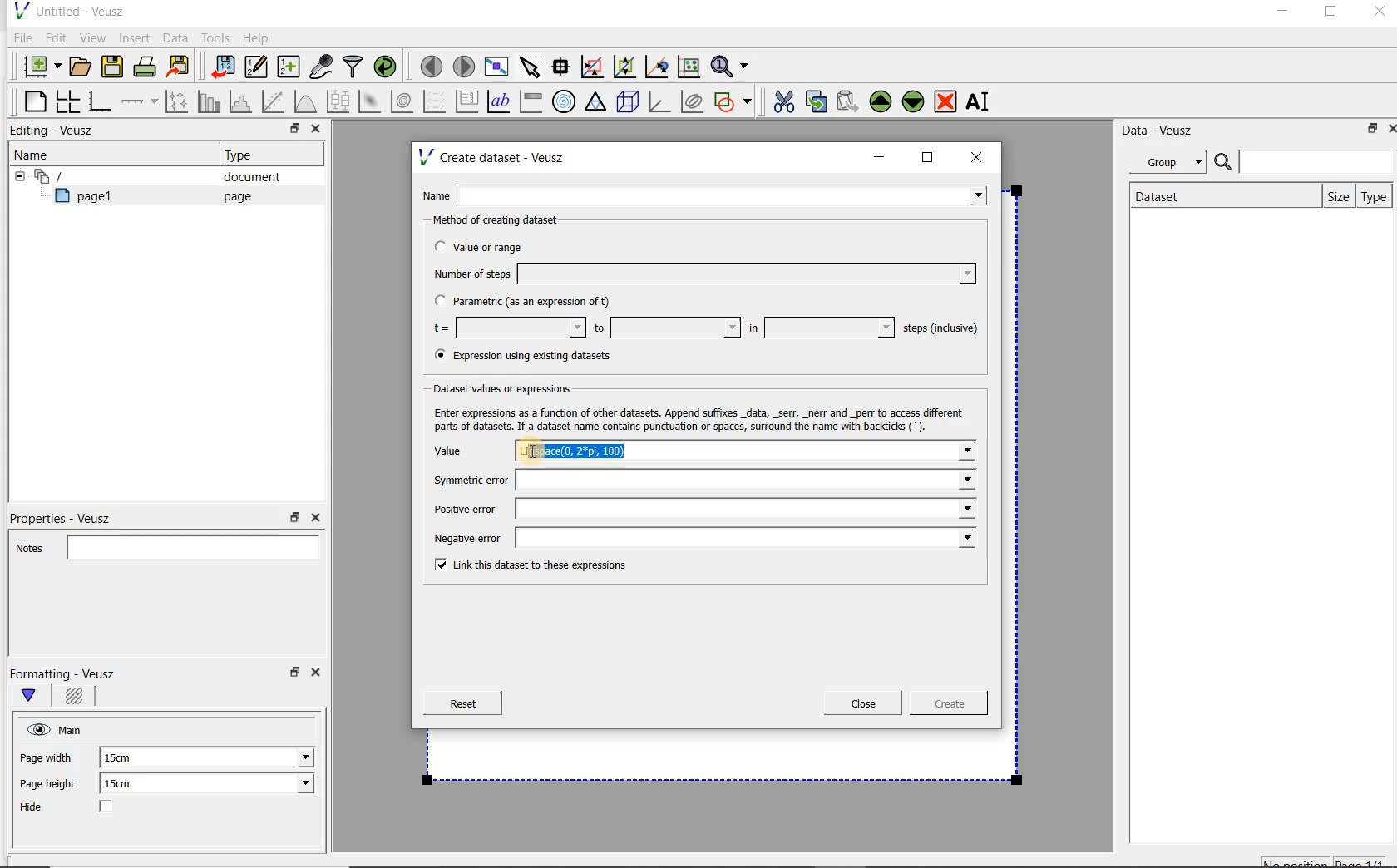 The height and width of the screenshot is (868, 1397). Describe the element at coordinates (116, 67) in the screenshot. I see `save the document` at that location.